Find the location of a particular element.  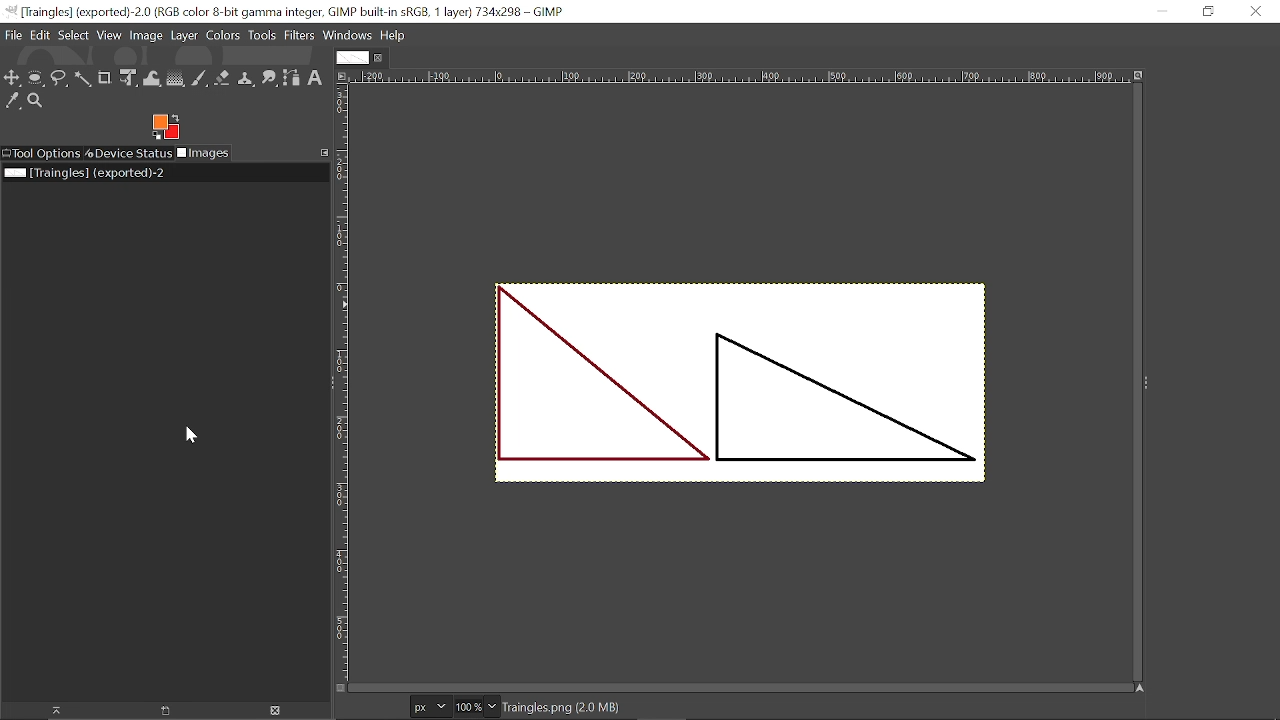

Format of the current file is located at coordinates (561, 706).